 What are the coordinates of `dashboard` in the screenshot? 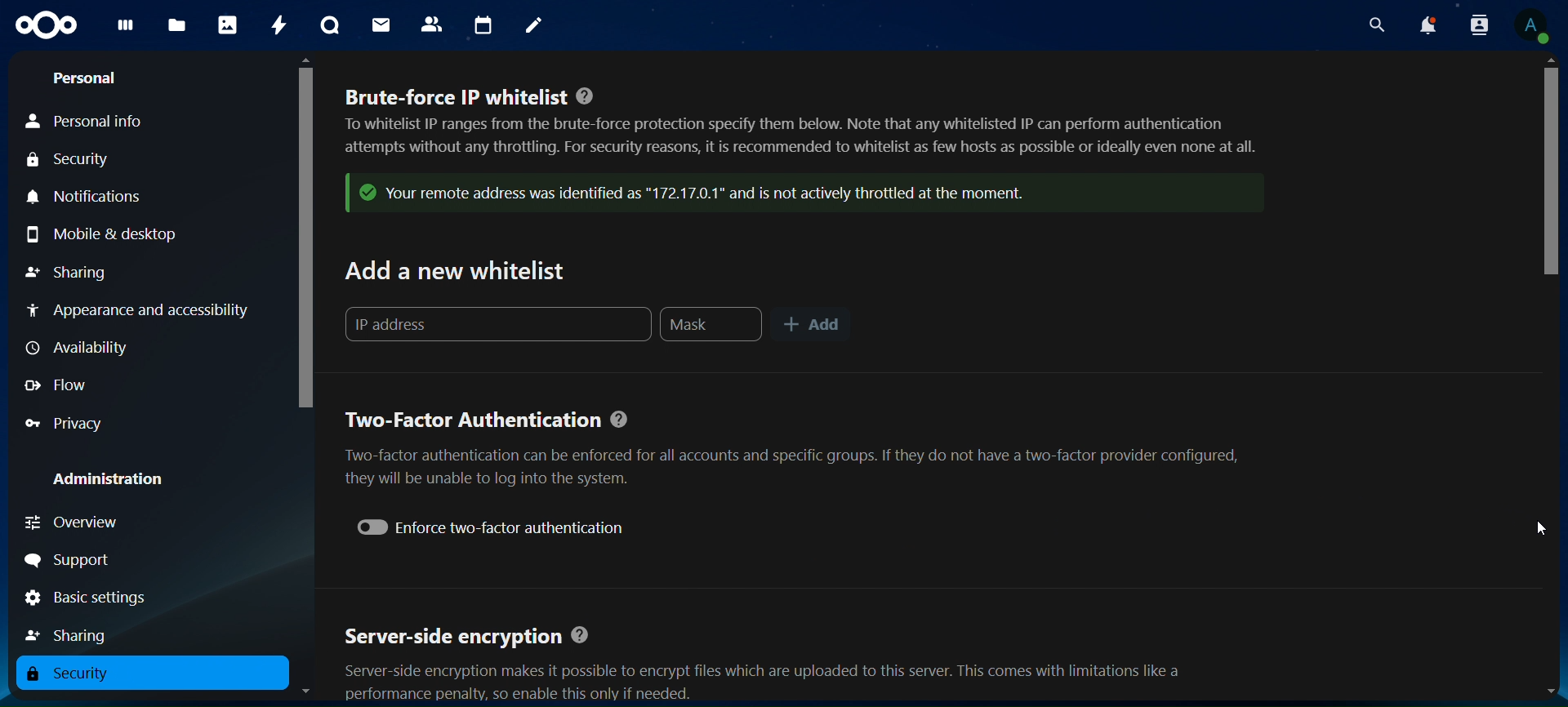 It's located at (122, 29).